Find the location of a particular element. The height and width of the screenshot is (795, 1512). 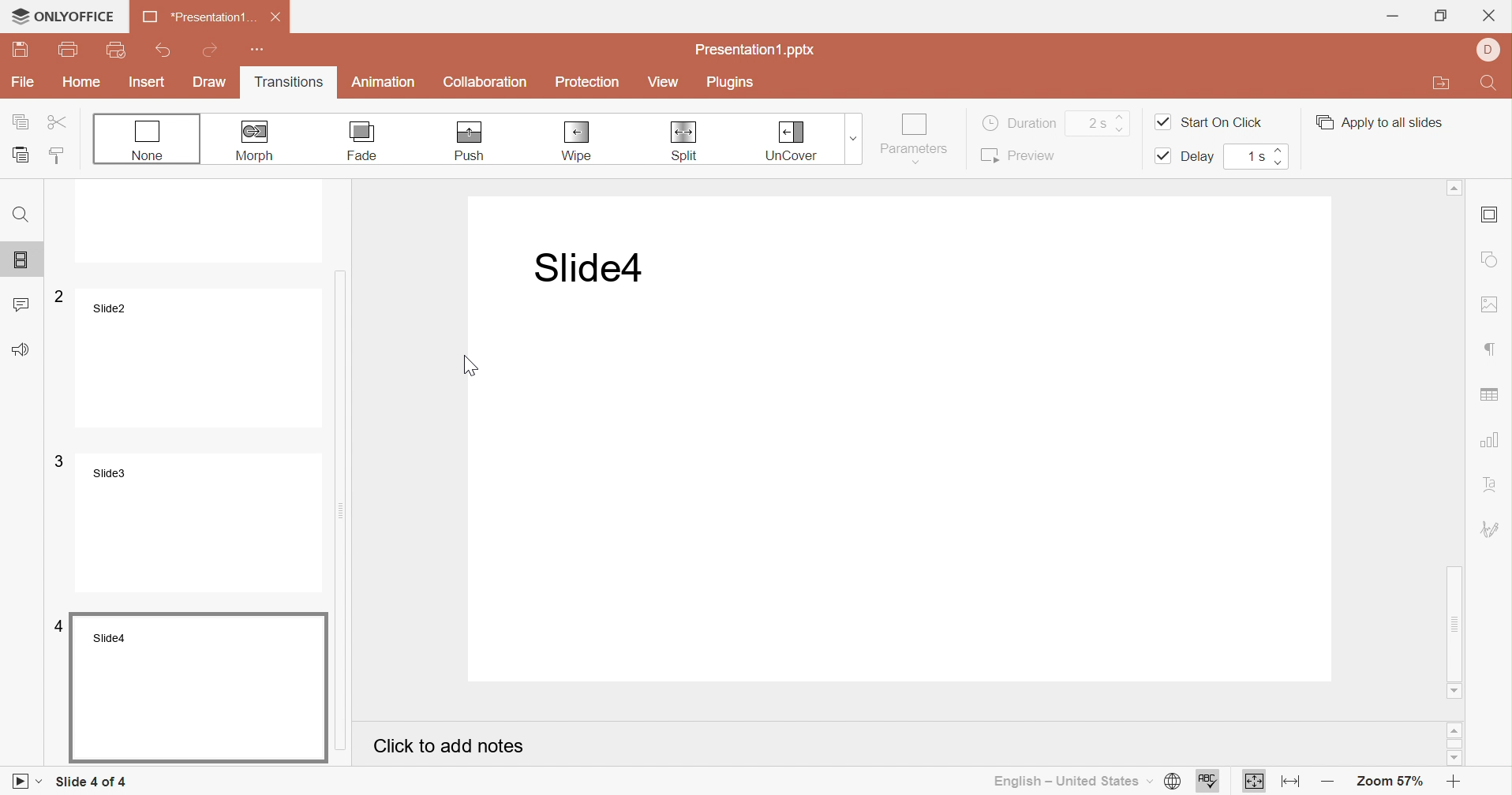

Fit to width is located at coordinates (1293, 783).